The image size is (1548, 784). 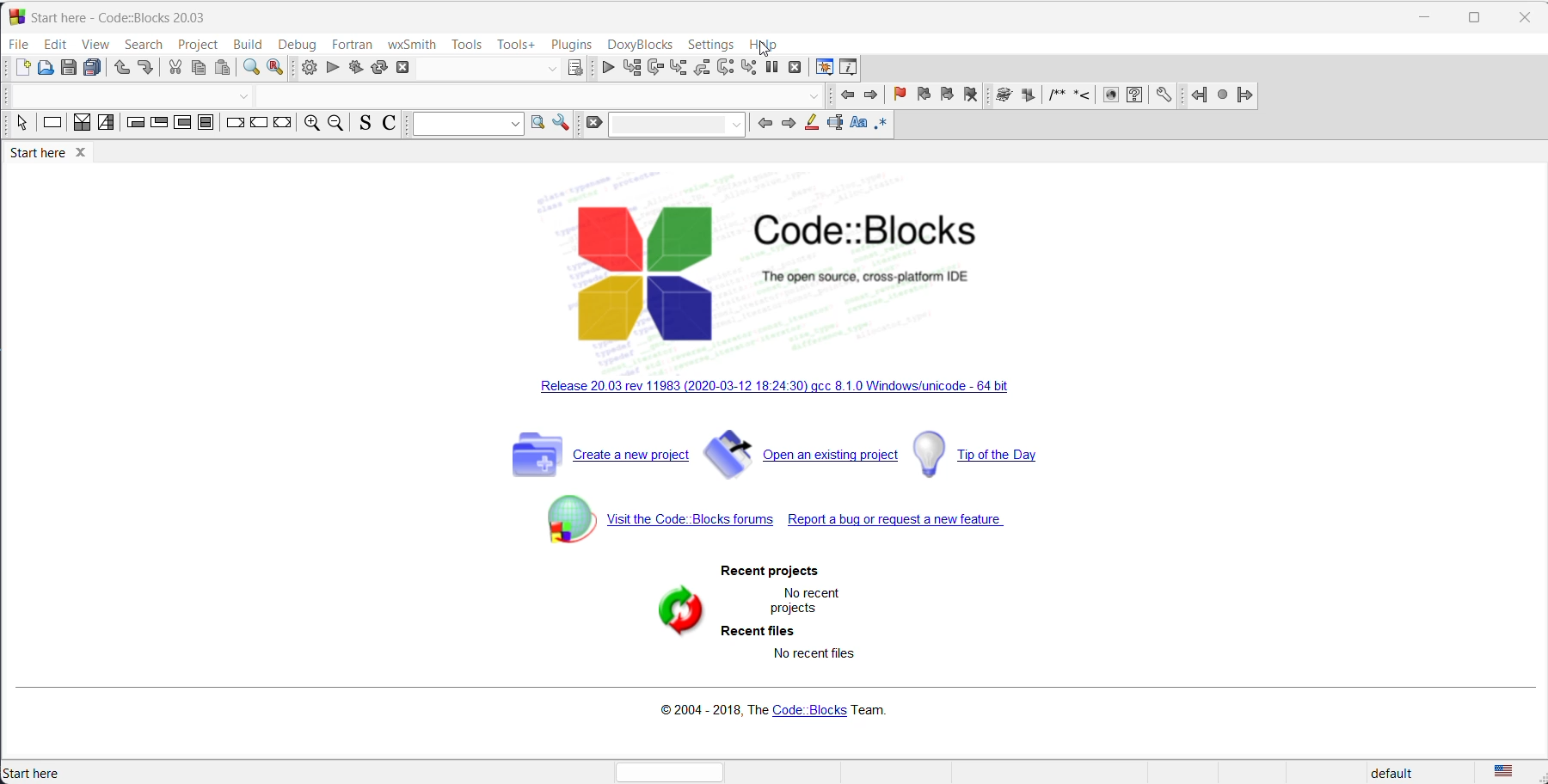 I want to click on ©2004 - 2018, The Code: Blocks Team., so click(x=769, y=710).